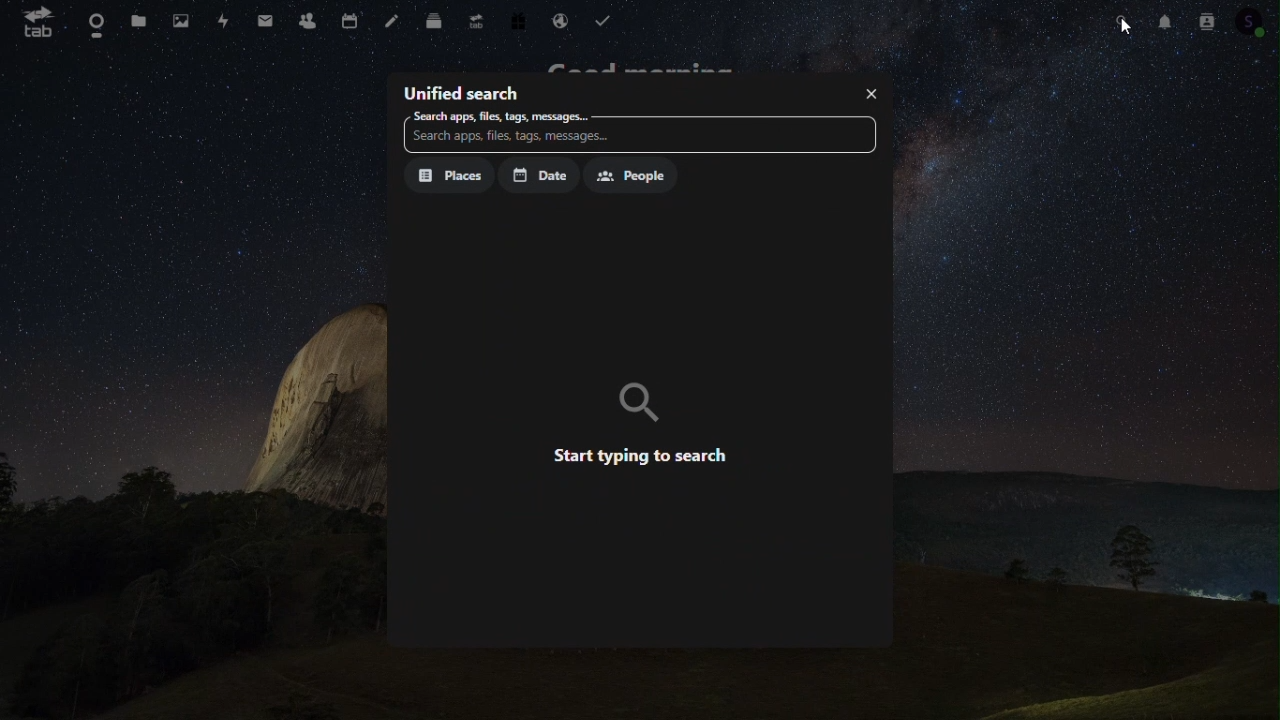  What do you see at coordinates (648, 63) in the screenshot?
I see `Good morning` at bounding box center [648, 63].